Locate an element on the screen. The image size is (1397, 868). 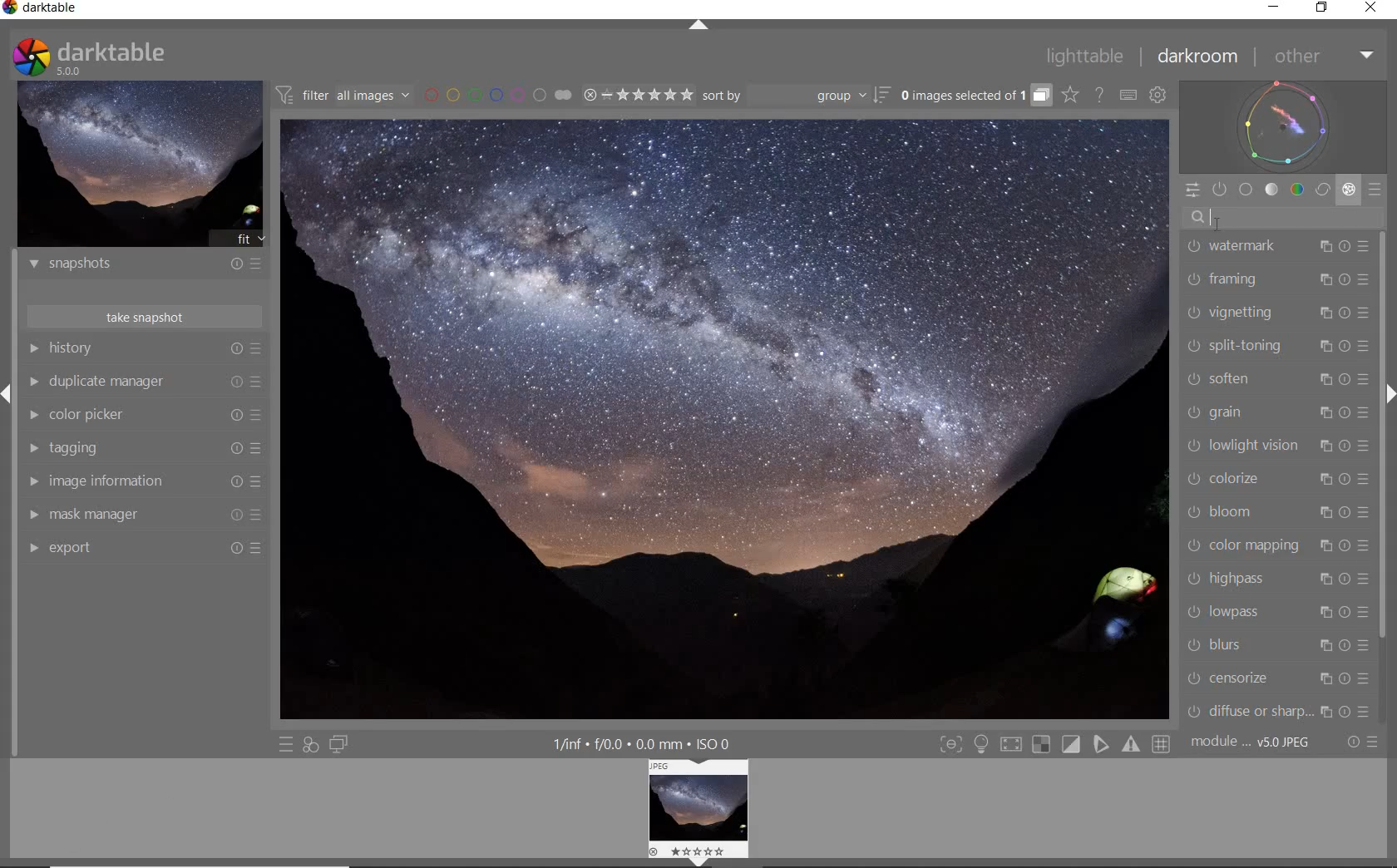
COLORIZE is located at coordinates (1220, 479).